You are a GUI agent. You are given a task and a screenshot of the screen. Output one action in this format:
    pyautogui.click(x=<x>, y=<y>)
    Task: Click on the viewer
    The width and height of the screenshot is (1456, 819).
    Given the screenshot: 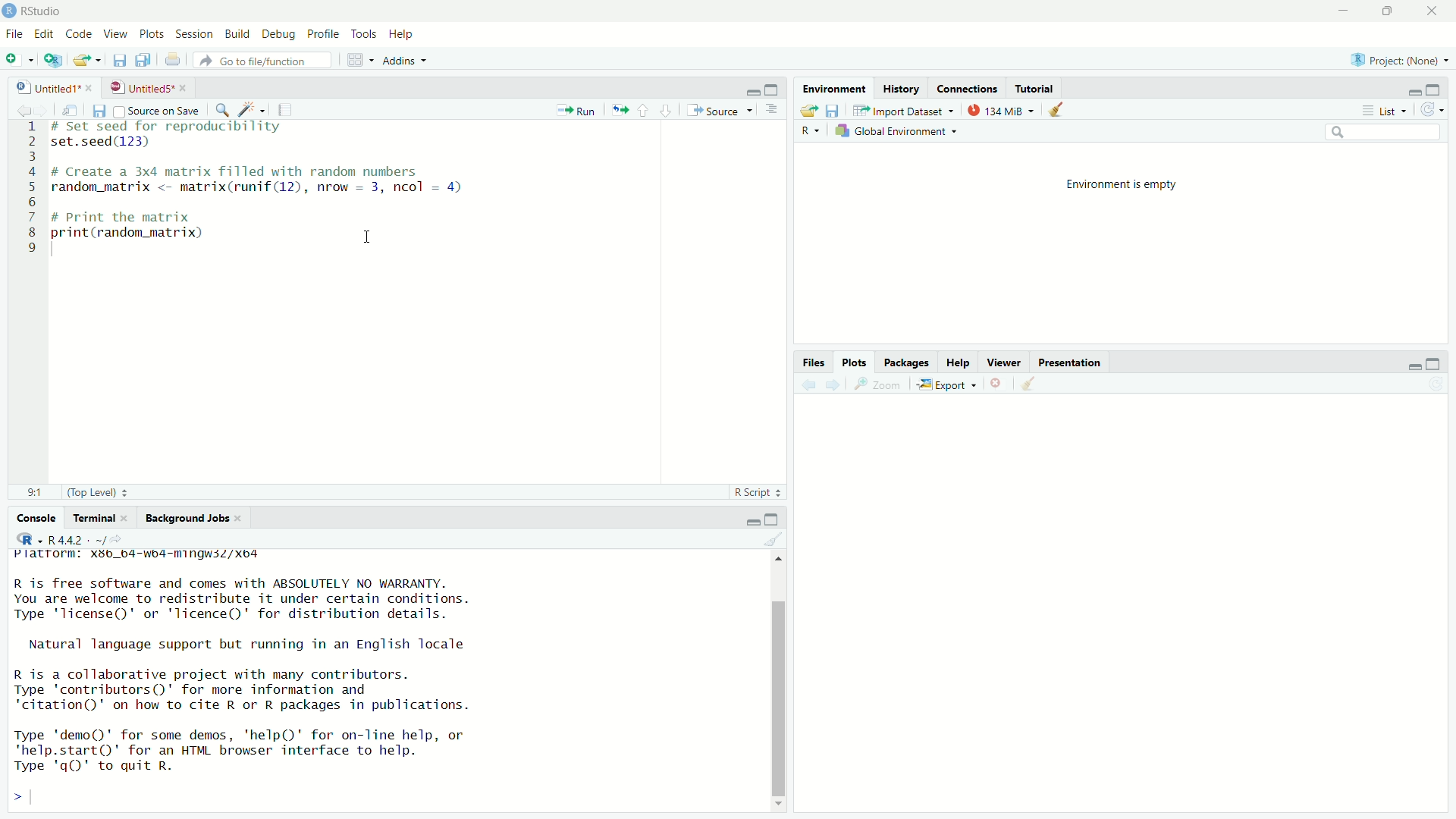 What is the action you would take?
    pyautogui.click(x=1003, y=361)
    